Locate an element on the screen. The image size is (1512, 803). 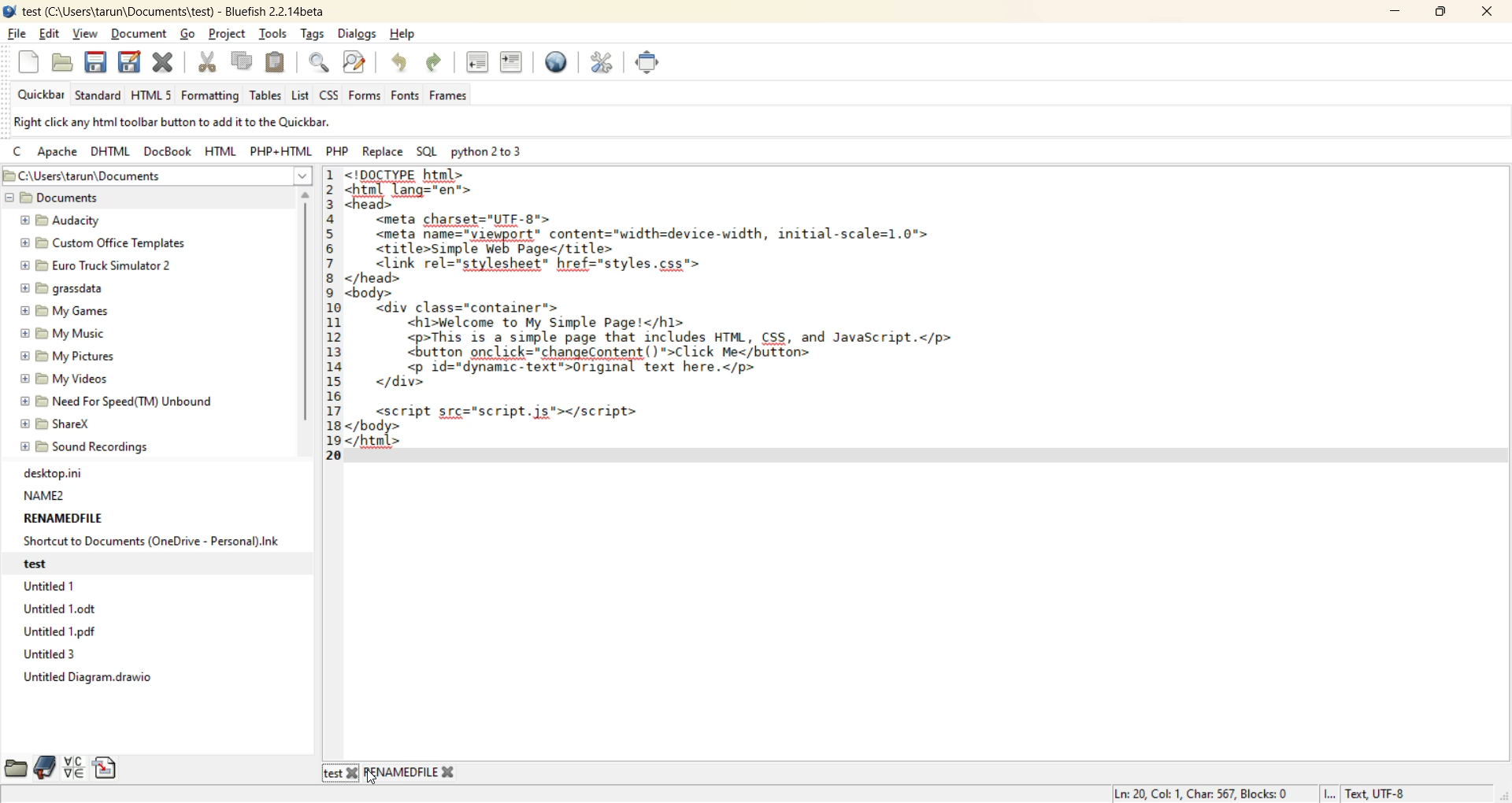
show more is located at coordinates (306, 179).